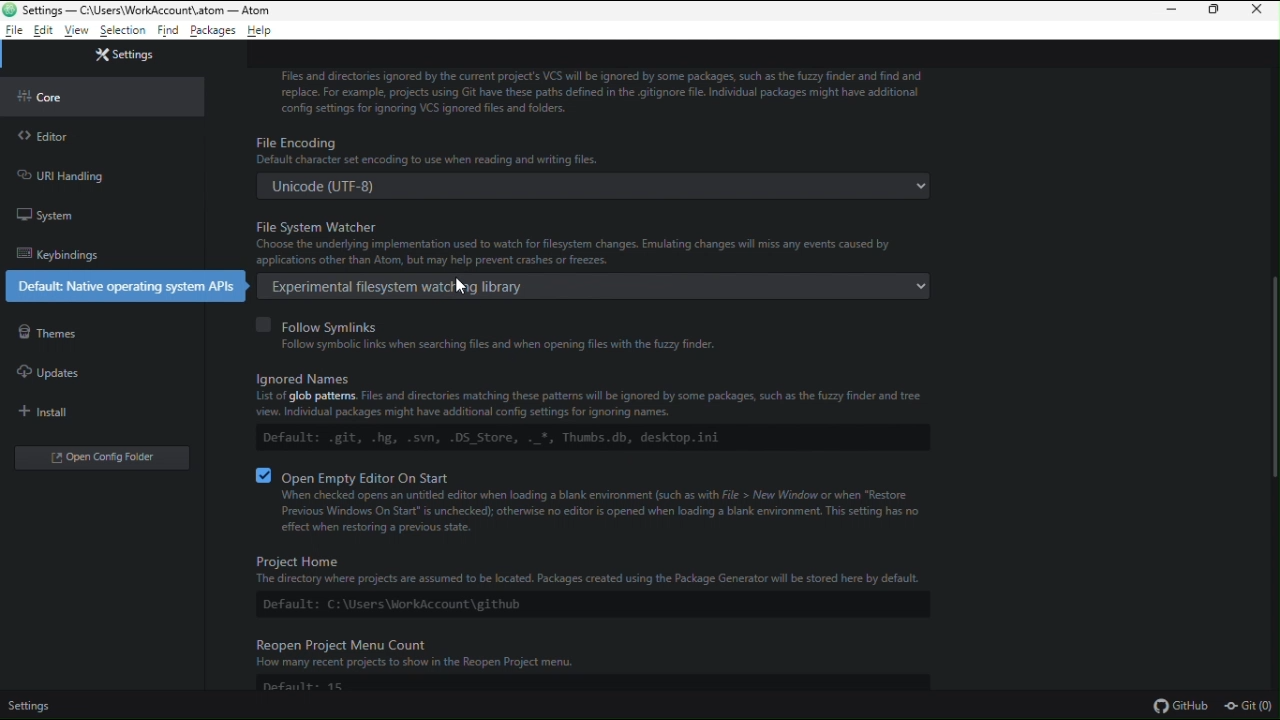 This screenshot has height=720, width=1280. I want to click on URL handling, so click(60, 175).